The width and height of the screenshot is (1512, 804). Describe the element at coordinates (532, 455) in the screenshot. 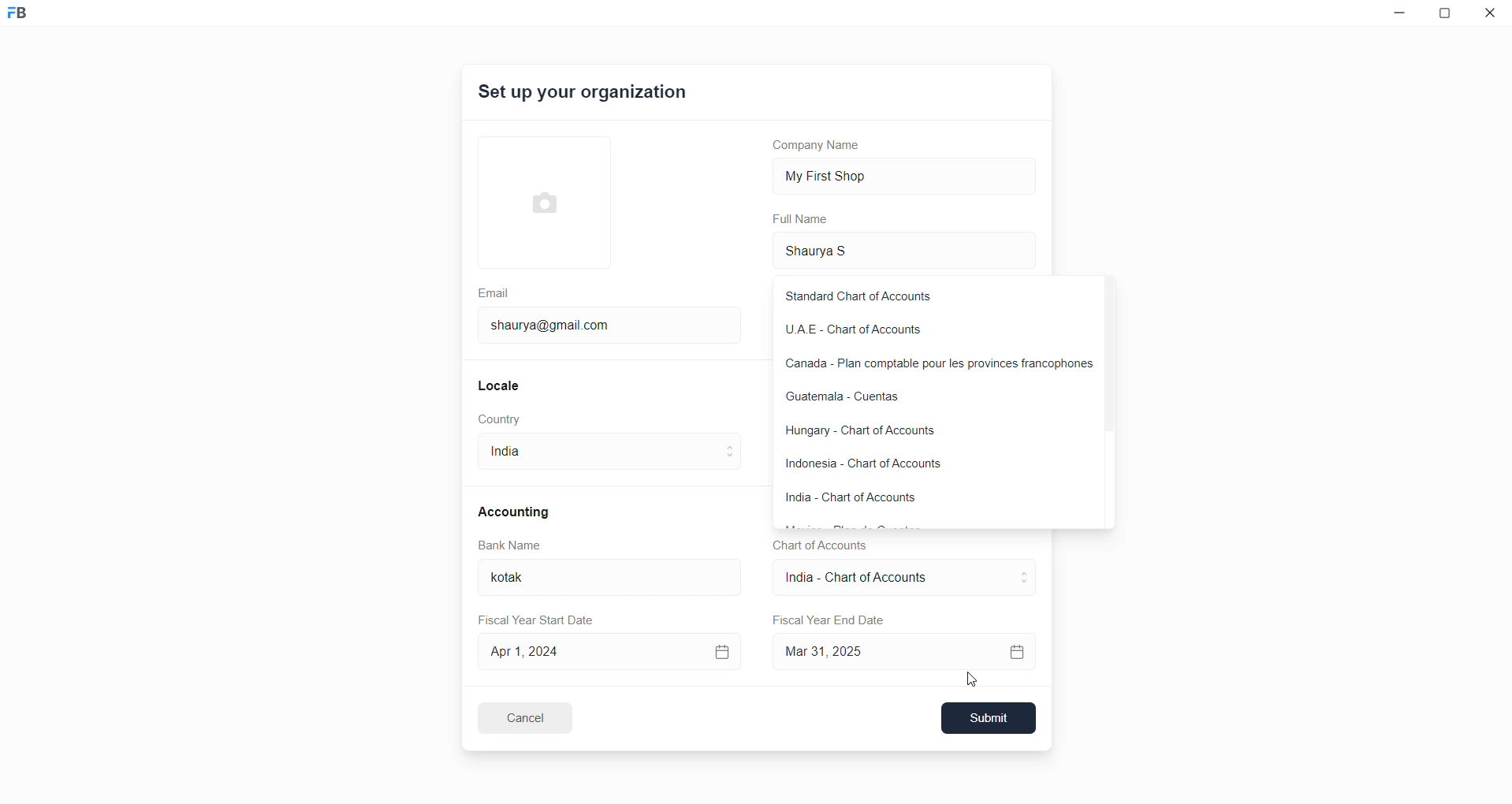

I see `India` at that location.